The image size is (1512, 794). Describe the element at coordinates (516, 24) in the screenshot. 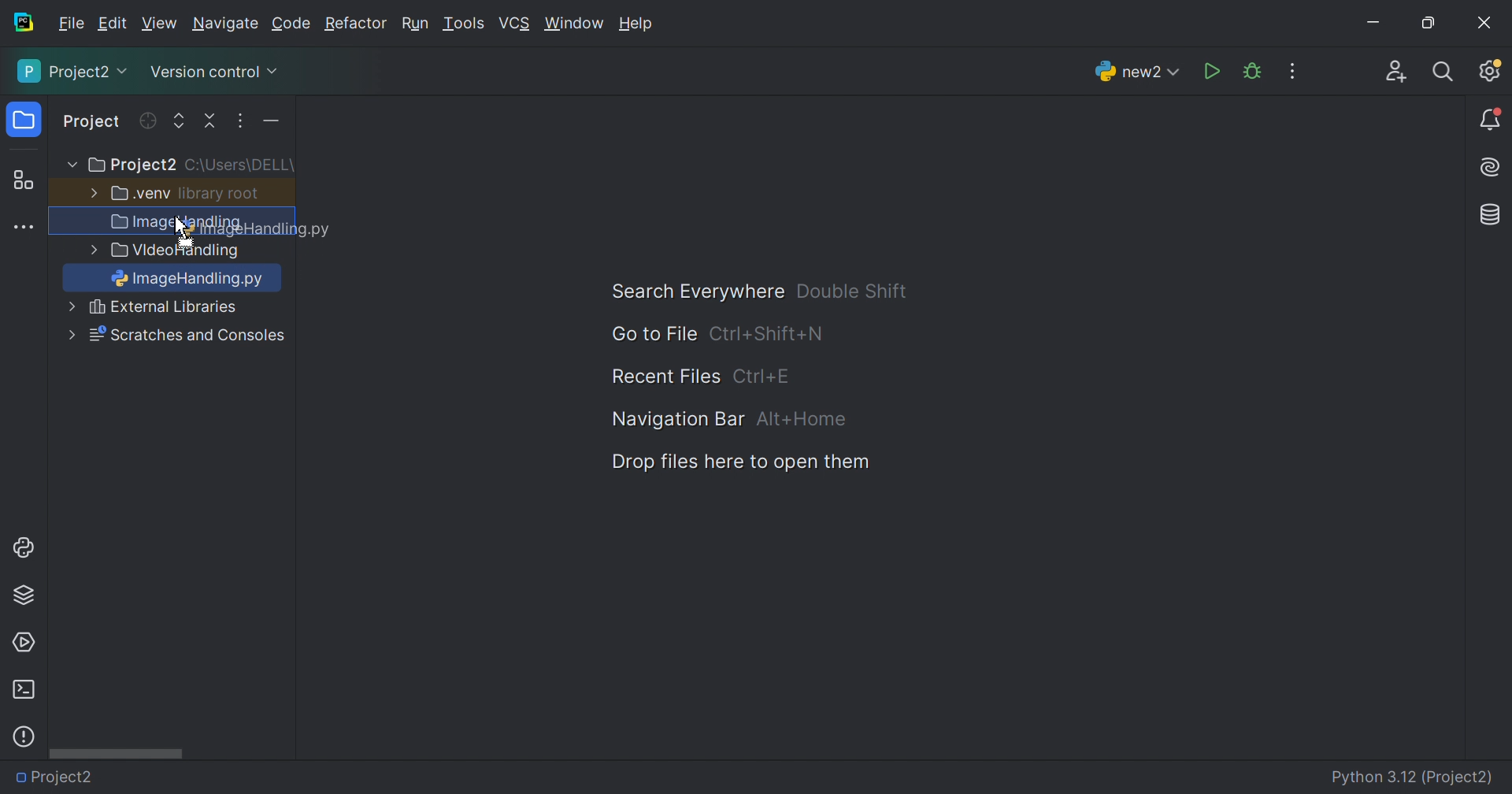

I see `VCS` at that location.